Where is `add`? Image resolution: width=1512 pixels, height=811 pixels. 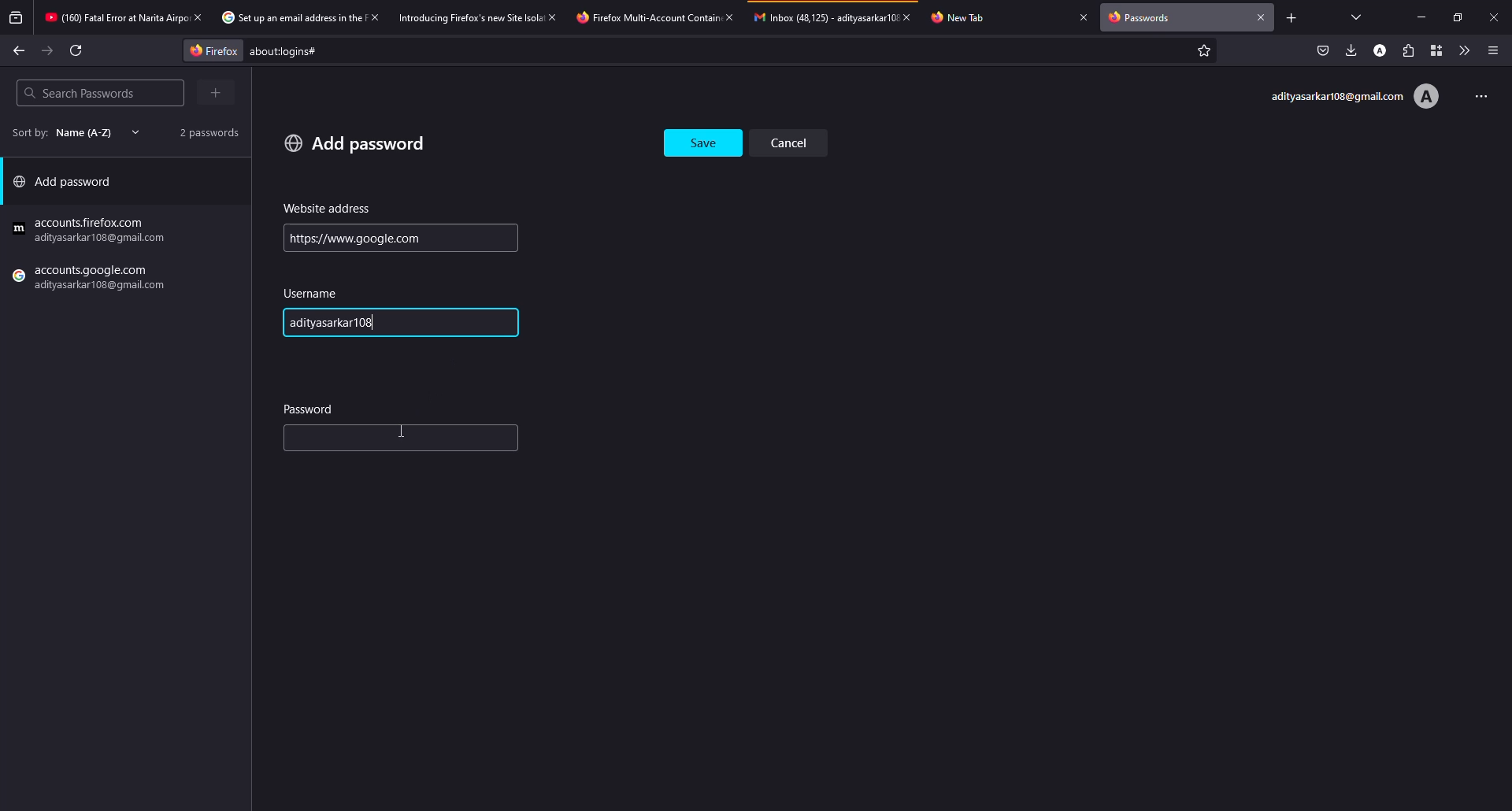 add is located at coordinates (355, 143).